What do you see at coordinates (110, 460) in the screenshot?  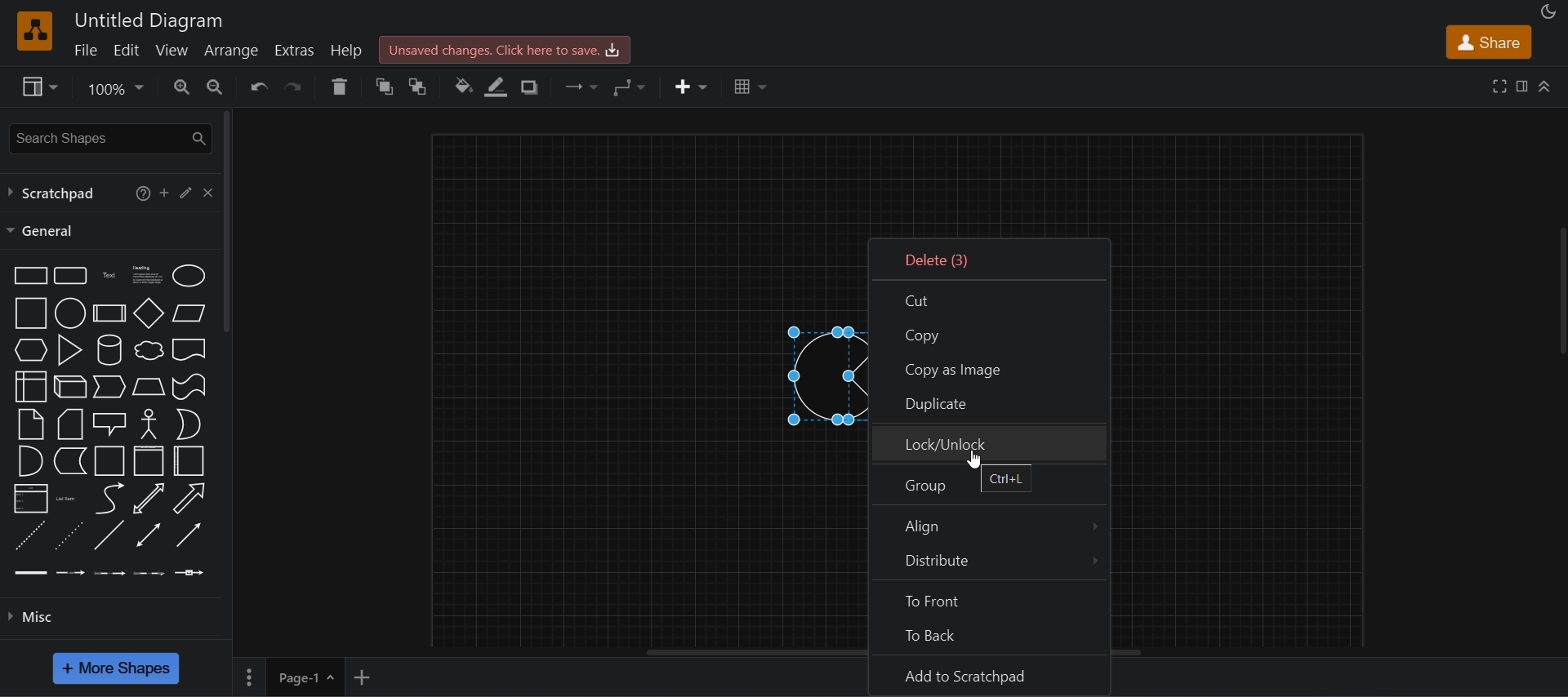 I see `Container` at bounding box center [110, 460].